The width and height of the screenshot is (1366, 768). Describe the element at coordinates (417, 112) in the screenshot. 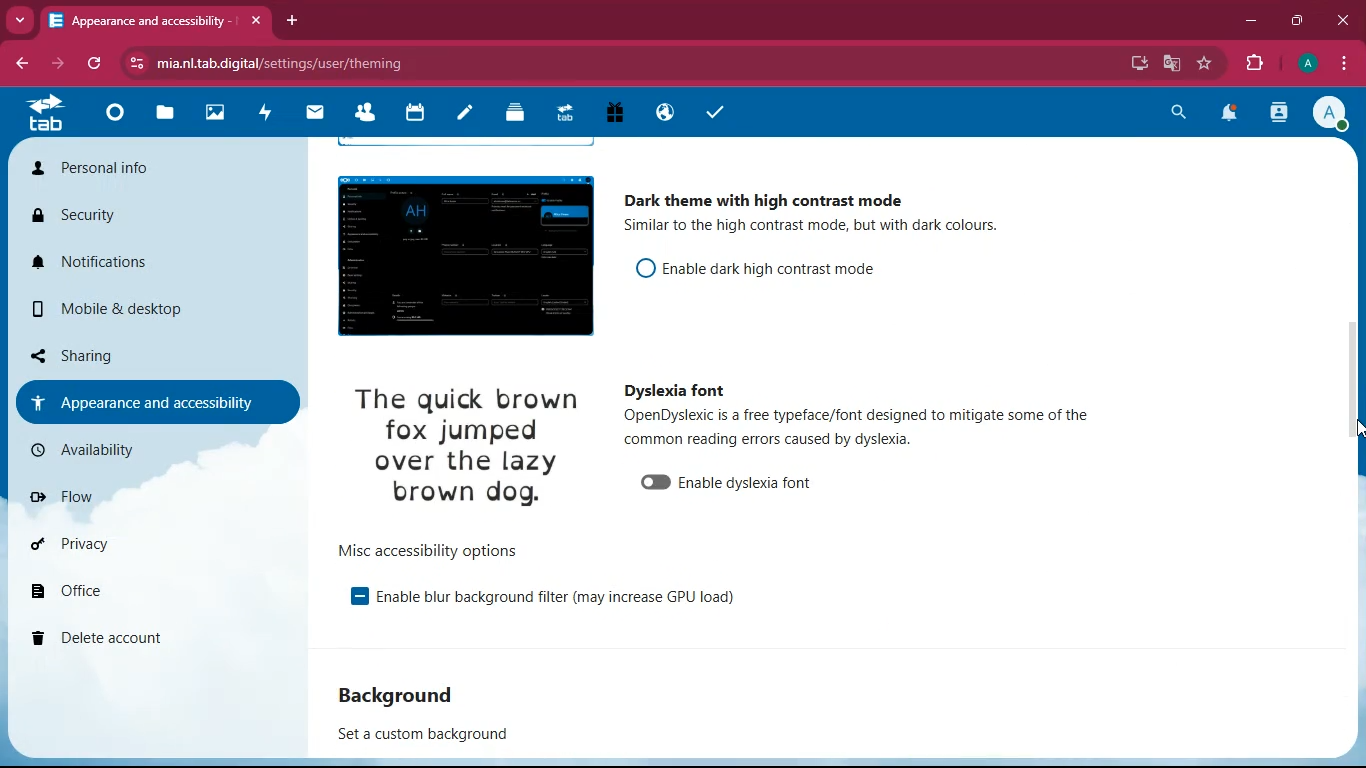

I see `calendar` at that location.